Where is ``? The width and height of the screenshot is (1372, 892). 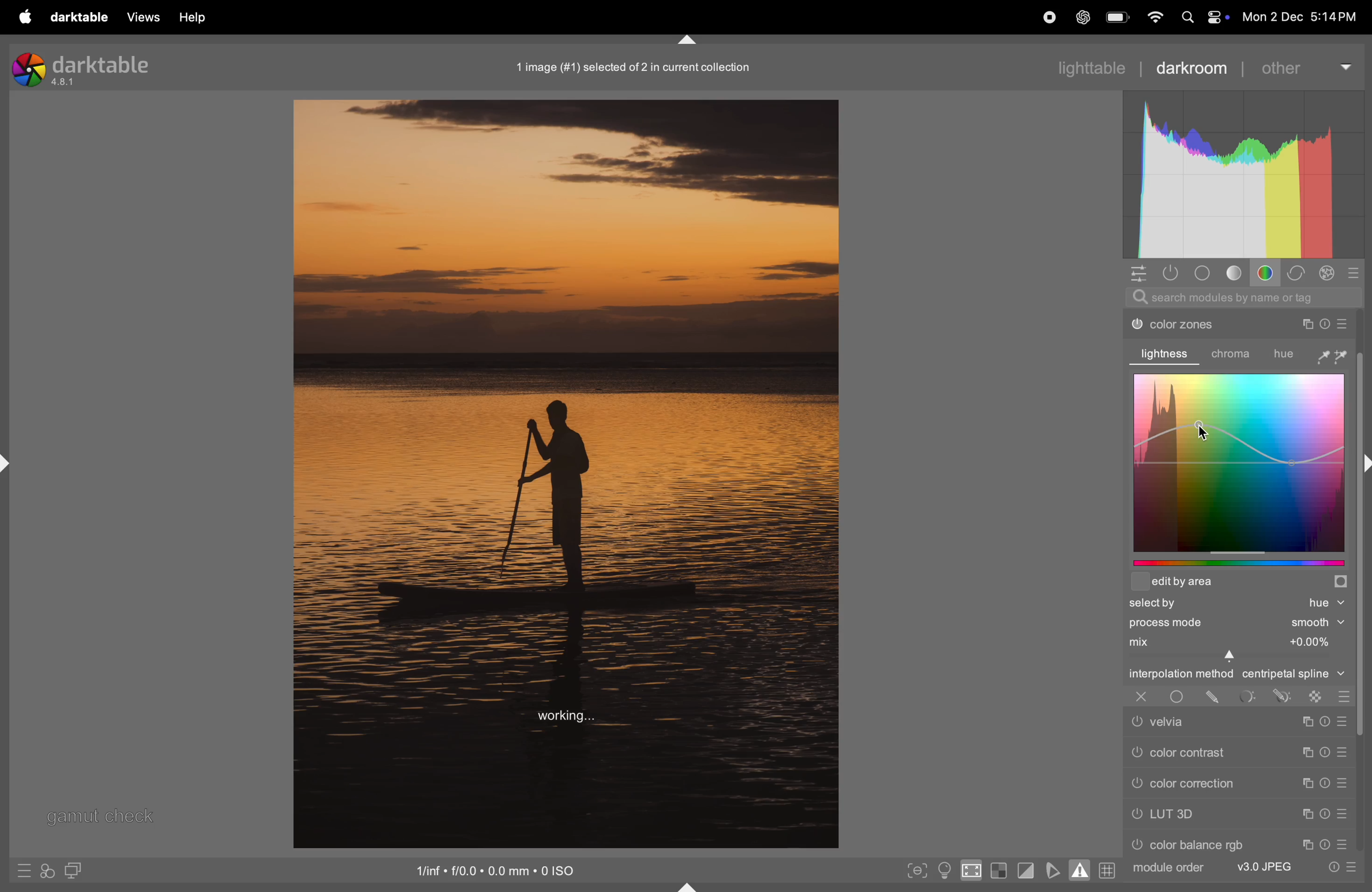
 is located at coordinates (1326, 273).